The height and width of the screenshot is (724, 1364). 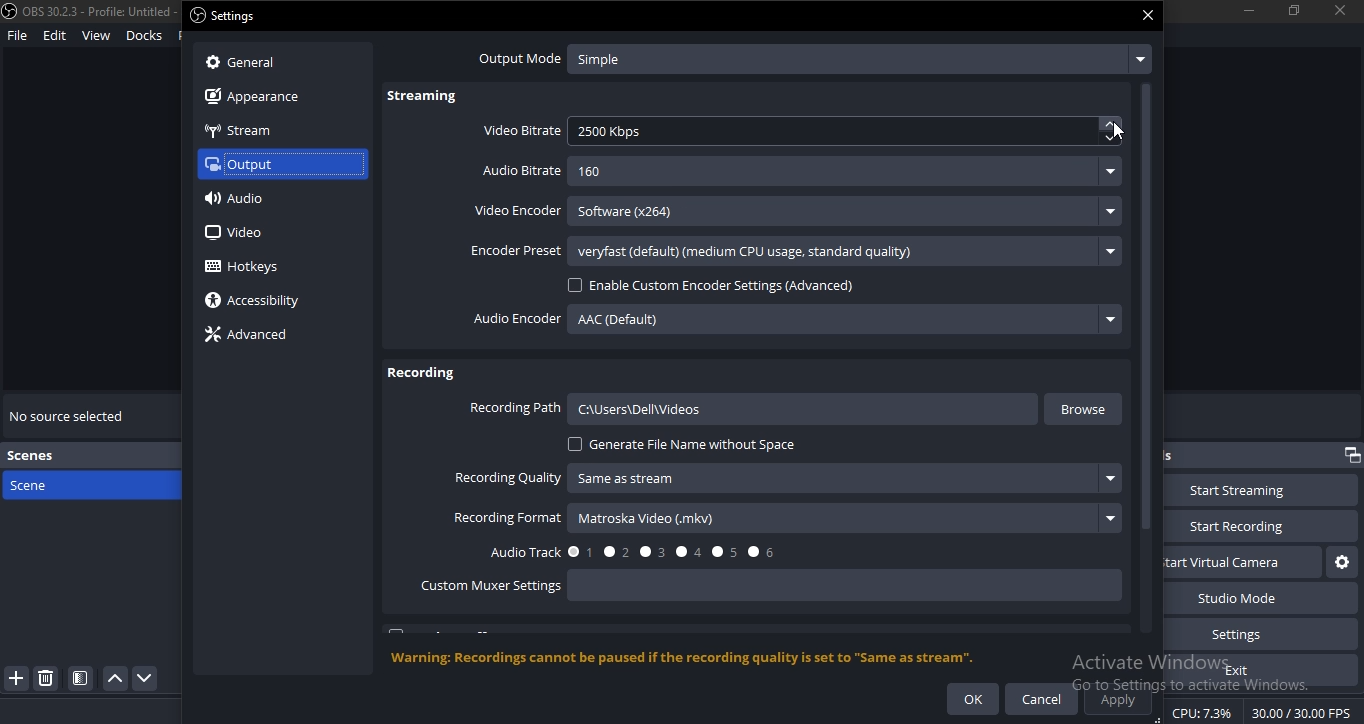 I want to click on no source selected, so click(x=71, y=413).